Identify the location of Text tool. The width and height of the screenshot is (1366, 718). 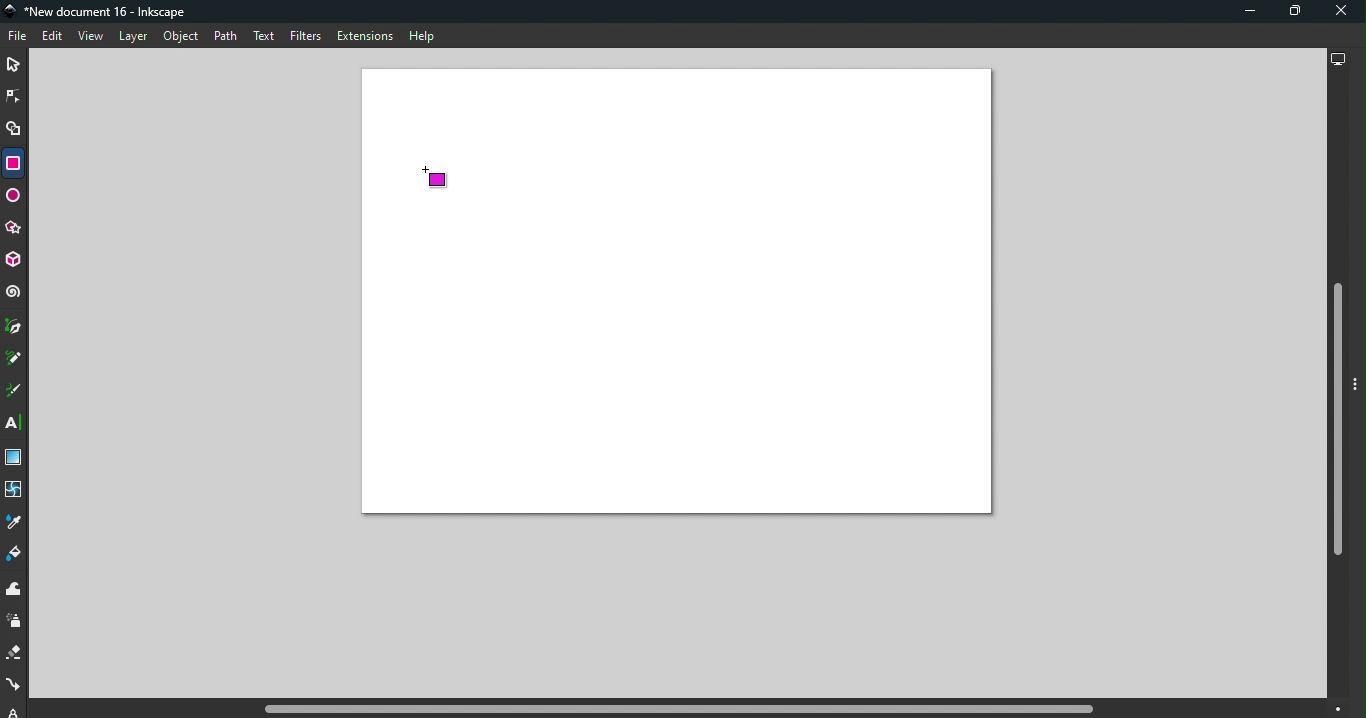
(16, 423).